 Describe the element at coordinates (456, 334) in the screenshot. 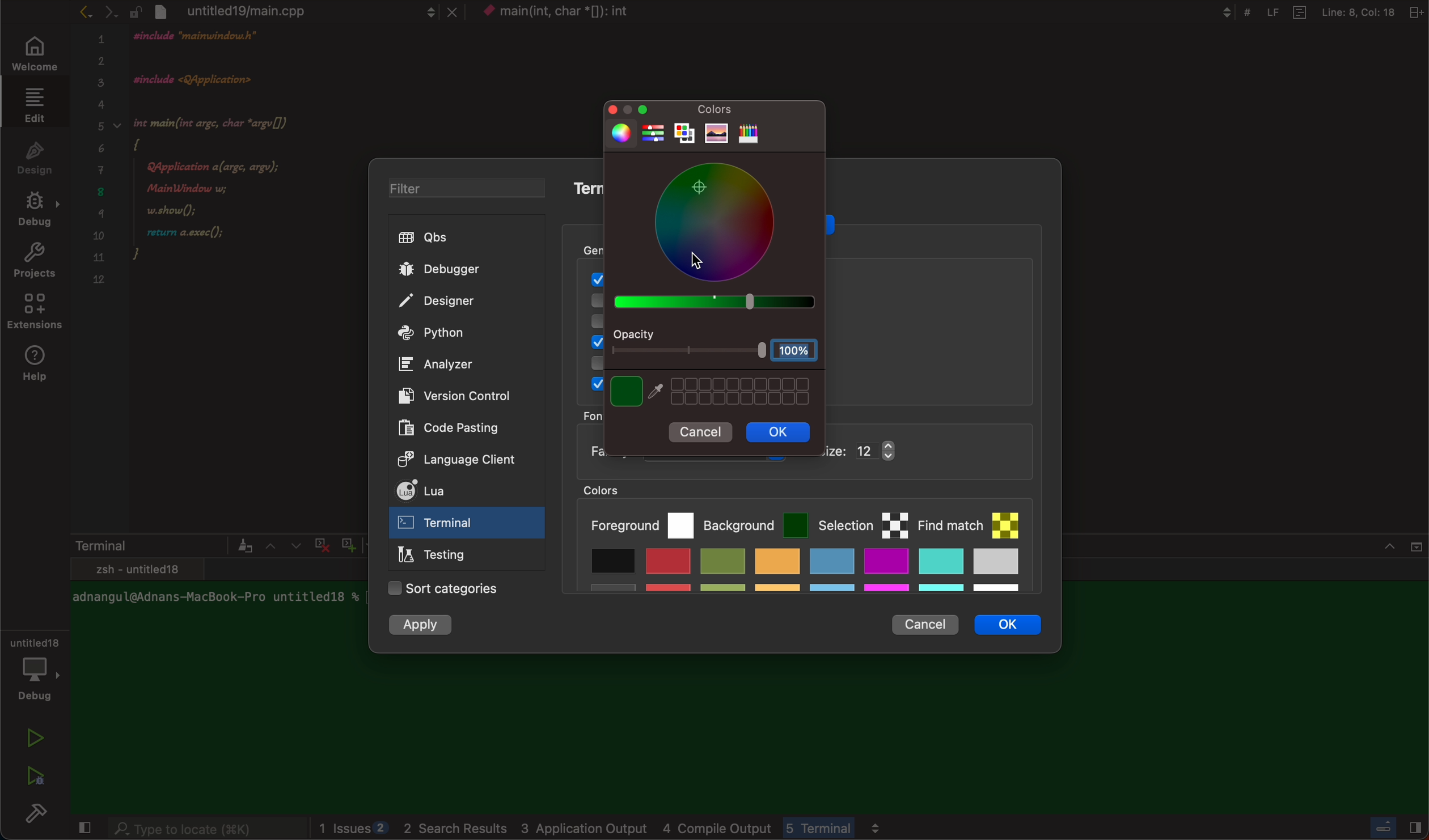

I see `python` at that location.